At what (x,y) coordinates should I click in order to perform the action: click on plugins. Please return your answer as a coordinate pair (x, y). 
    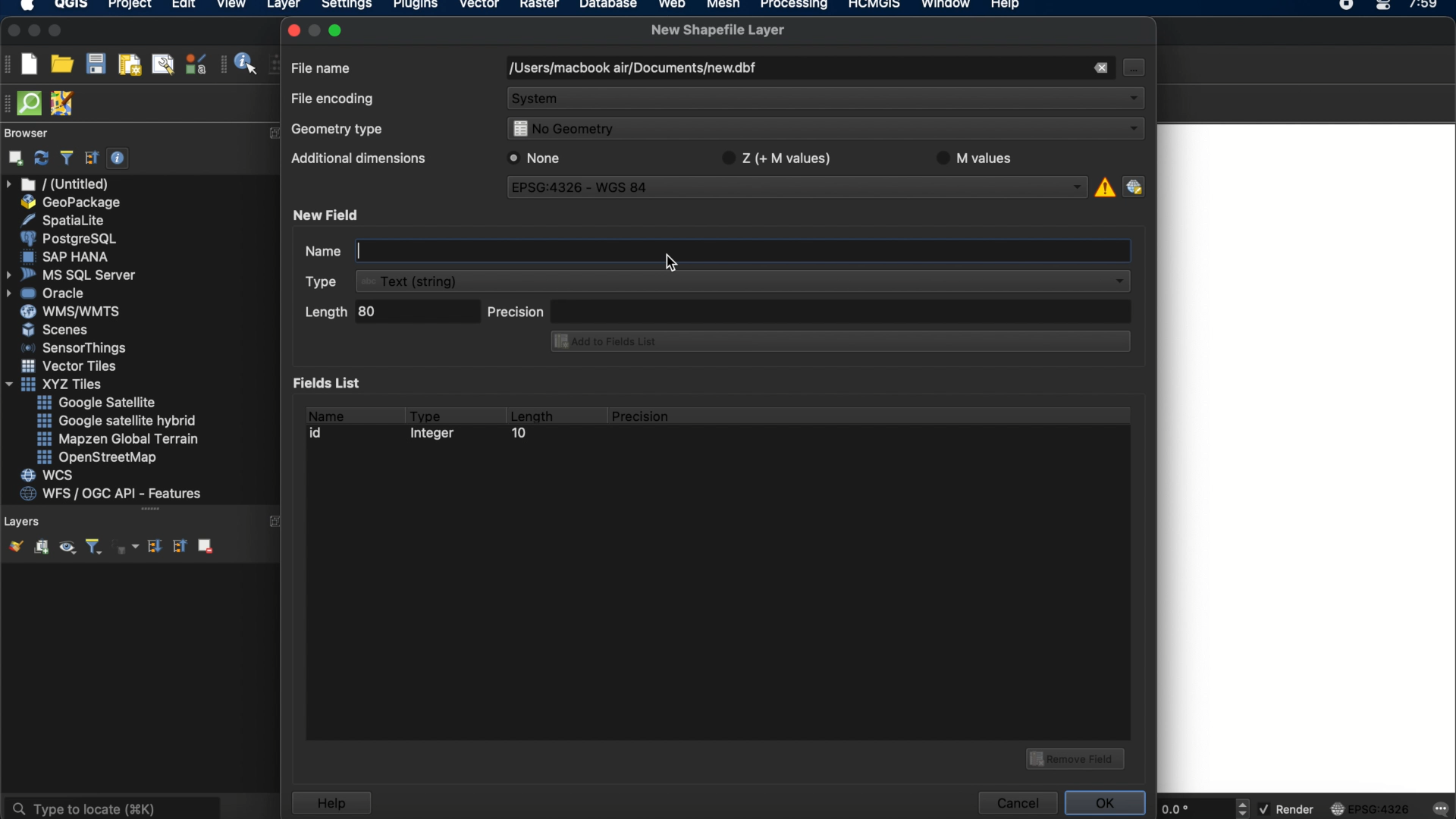
    Looking at the image, I should click on (416, 7).